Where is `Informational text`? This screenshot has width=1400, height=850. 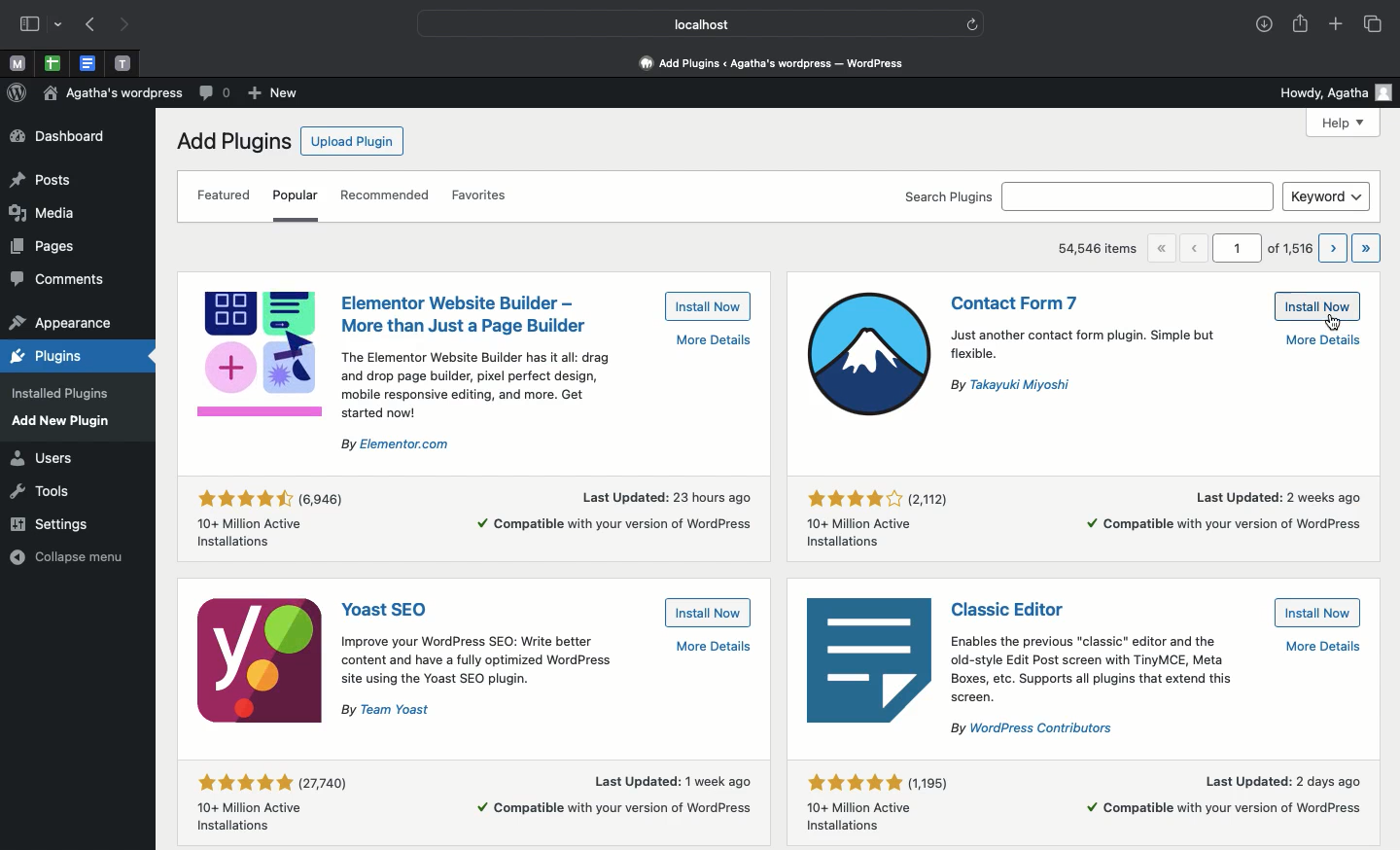 Informational text is located at coordinates (1099, 361).